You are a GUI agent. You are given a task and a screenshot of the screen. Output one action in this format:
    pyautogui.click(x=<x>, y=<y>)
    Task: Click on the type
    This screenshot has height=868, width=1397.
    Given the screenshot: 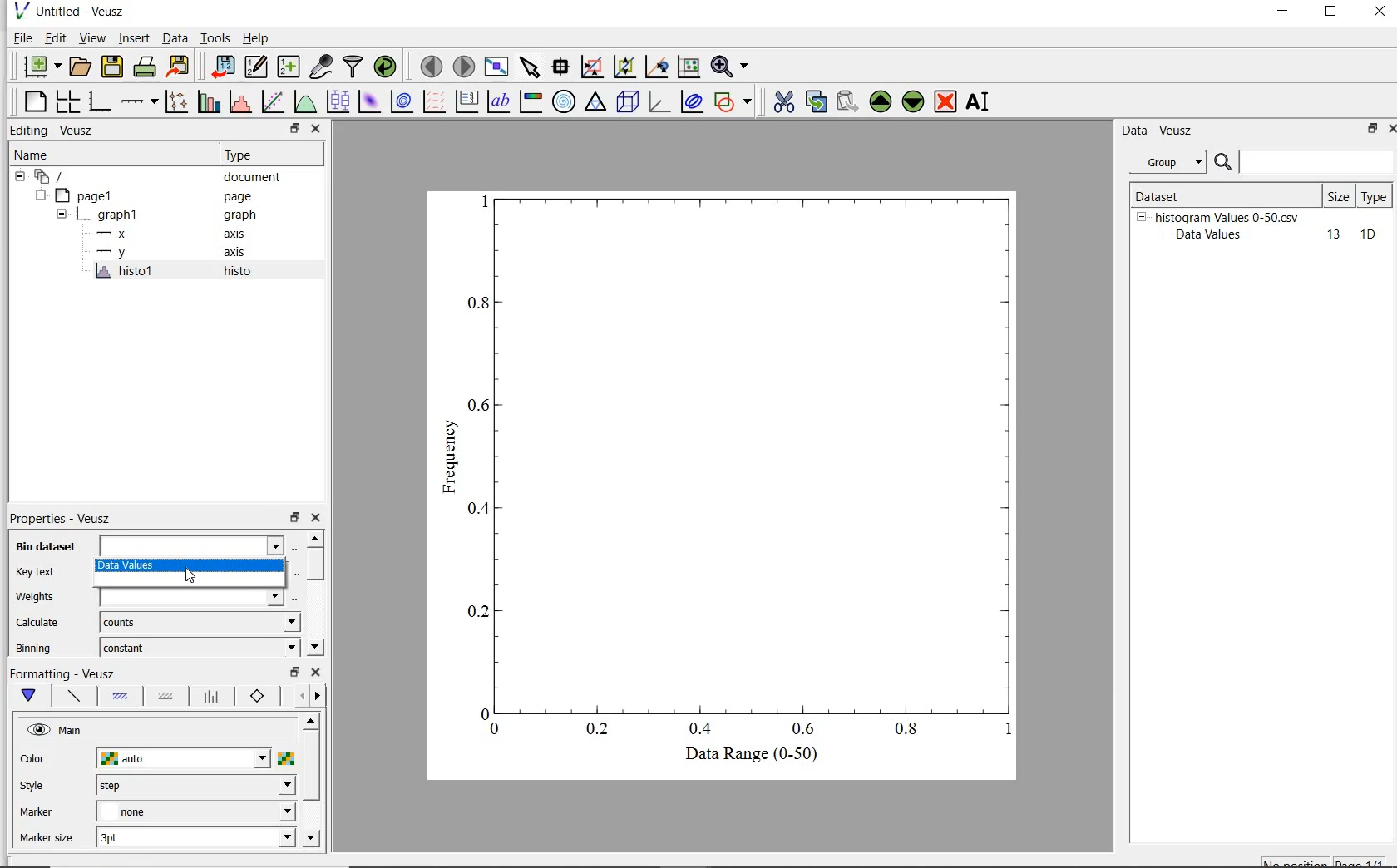 What is the action you would take?
    pyautogui.click(x=1375, y=195)
    